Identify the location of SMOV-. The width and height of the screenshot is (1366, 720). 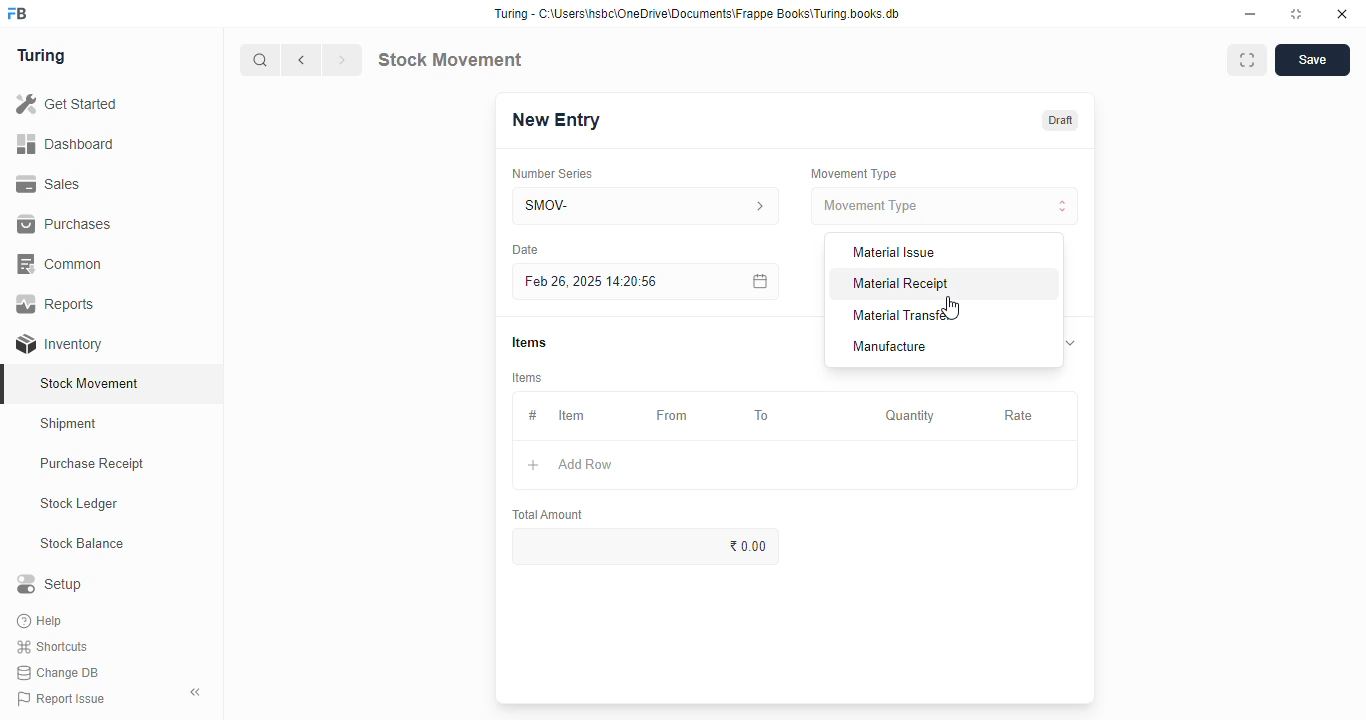
(647, 205).